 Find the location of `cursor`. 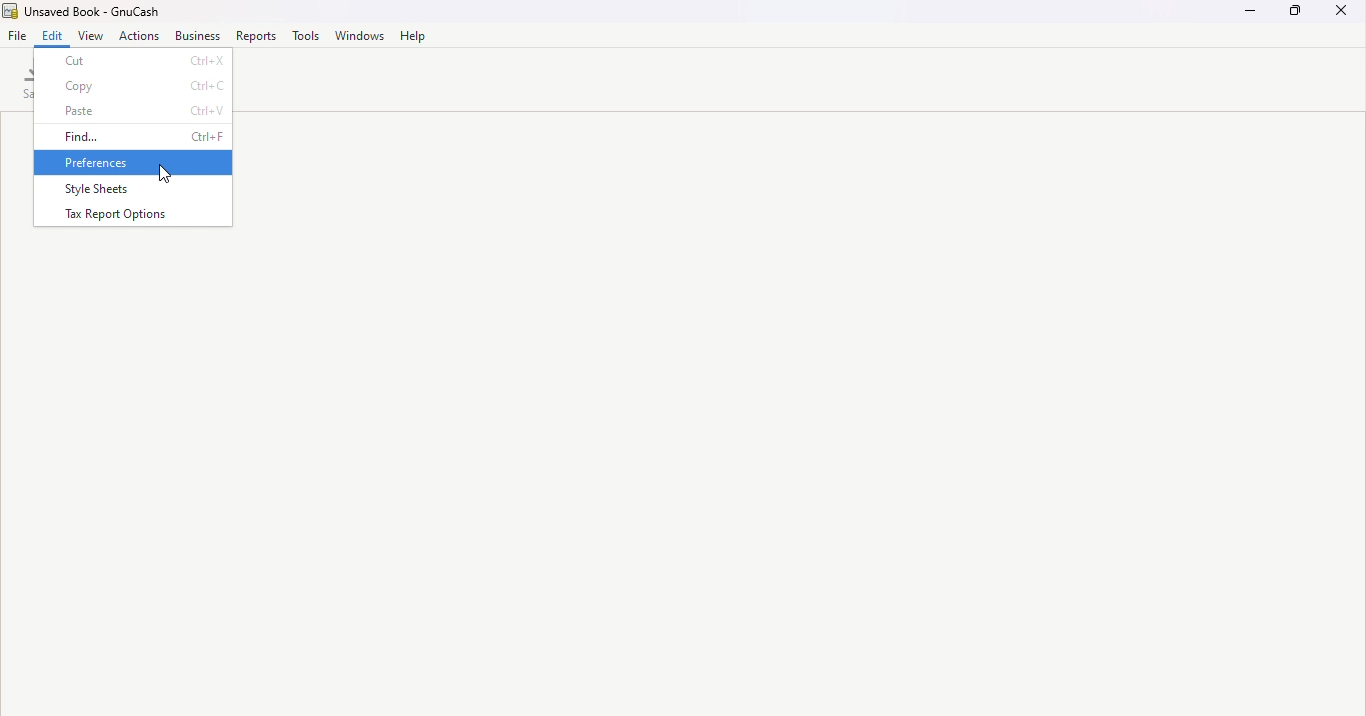

cursor is located at coordinates (167, 173).